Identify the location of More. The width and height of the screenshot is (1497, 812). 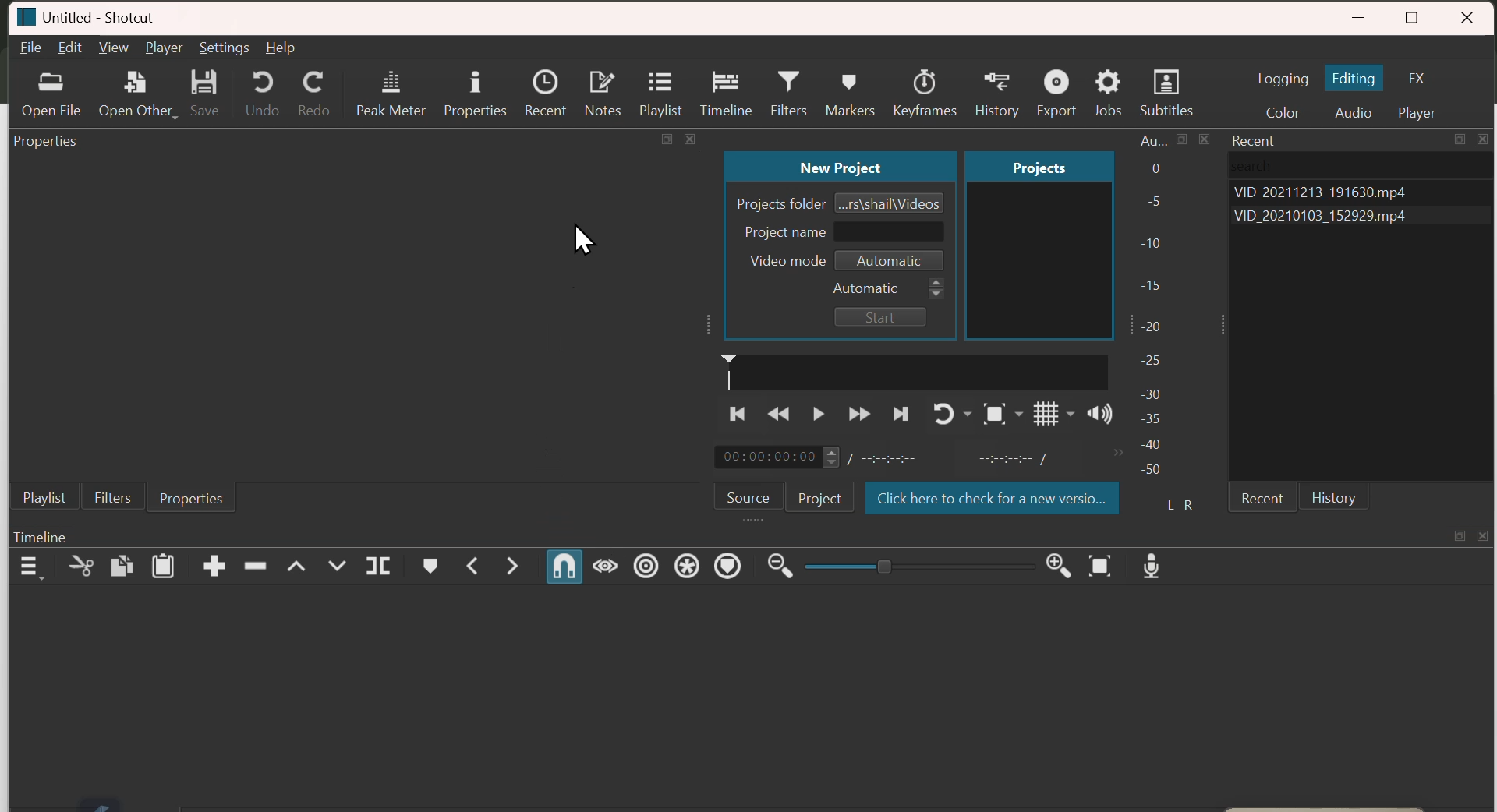
(1117, 454).